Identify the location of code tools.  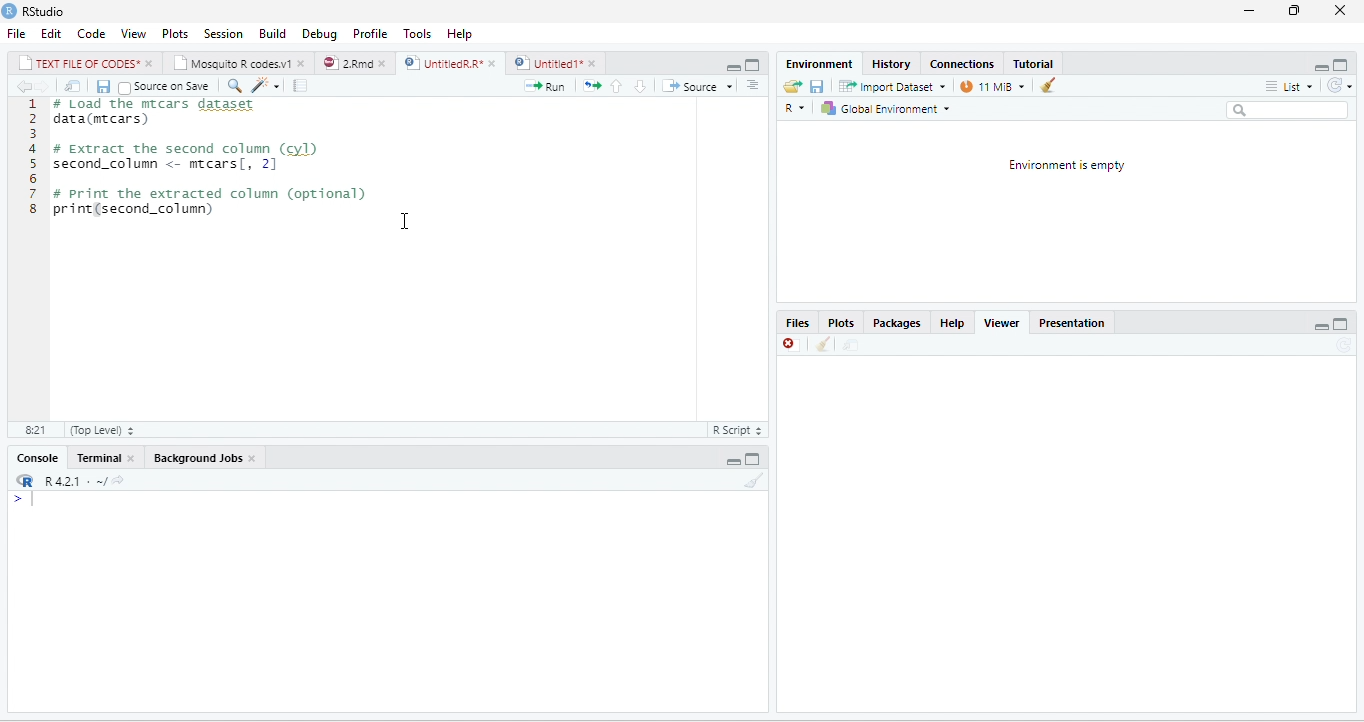
(266, 85).